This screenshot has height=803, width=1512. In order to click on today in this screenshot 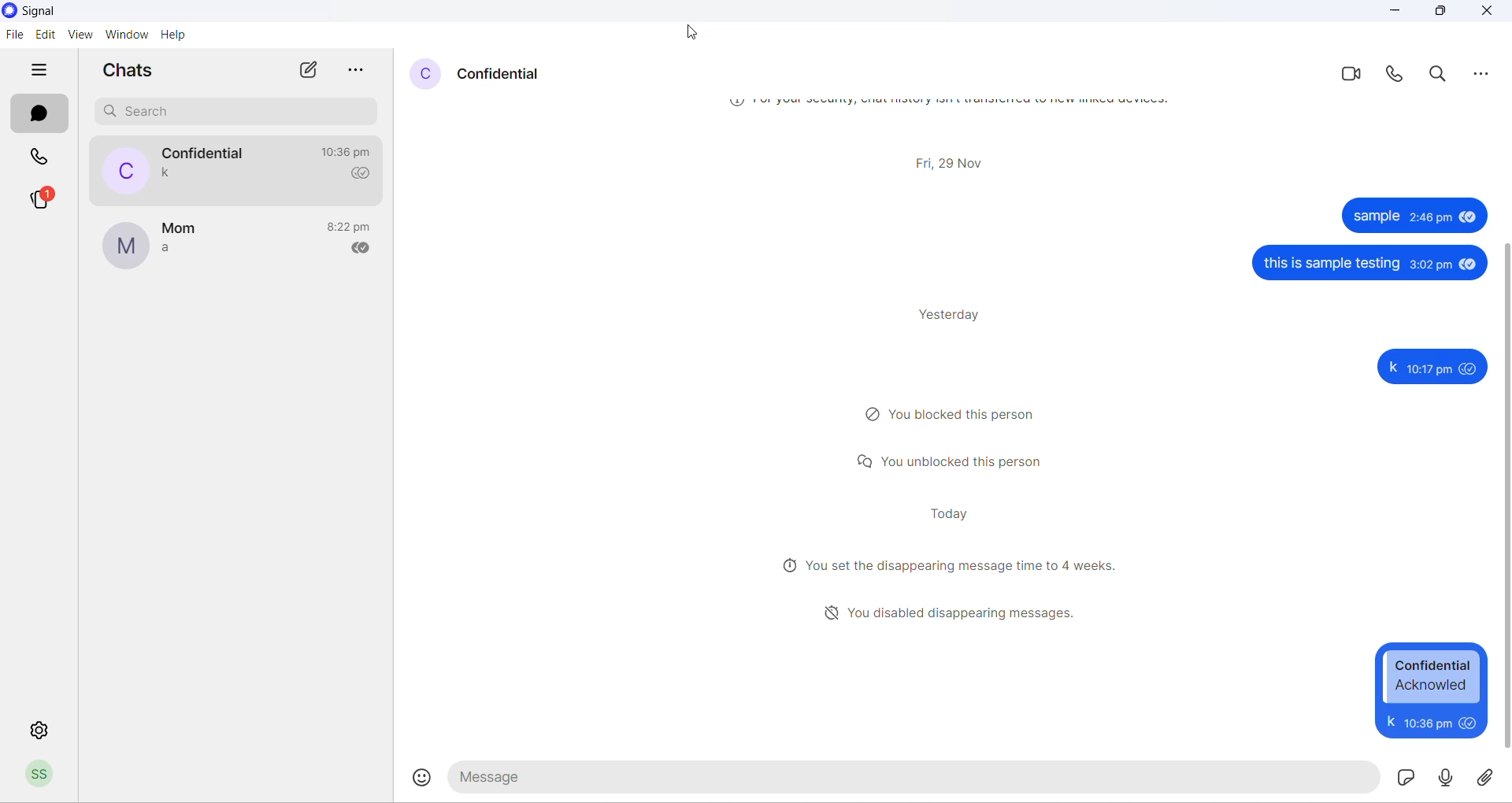, I will do `click(953, 512)`.